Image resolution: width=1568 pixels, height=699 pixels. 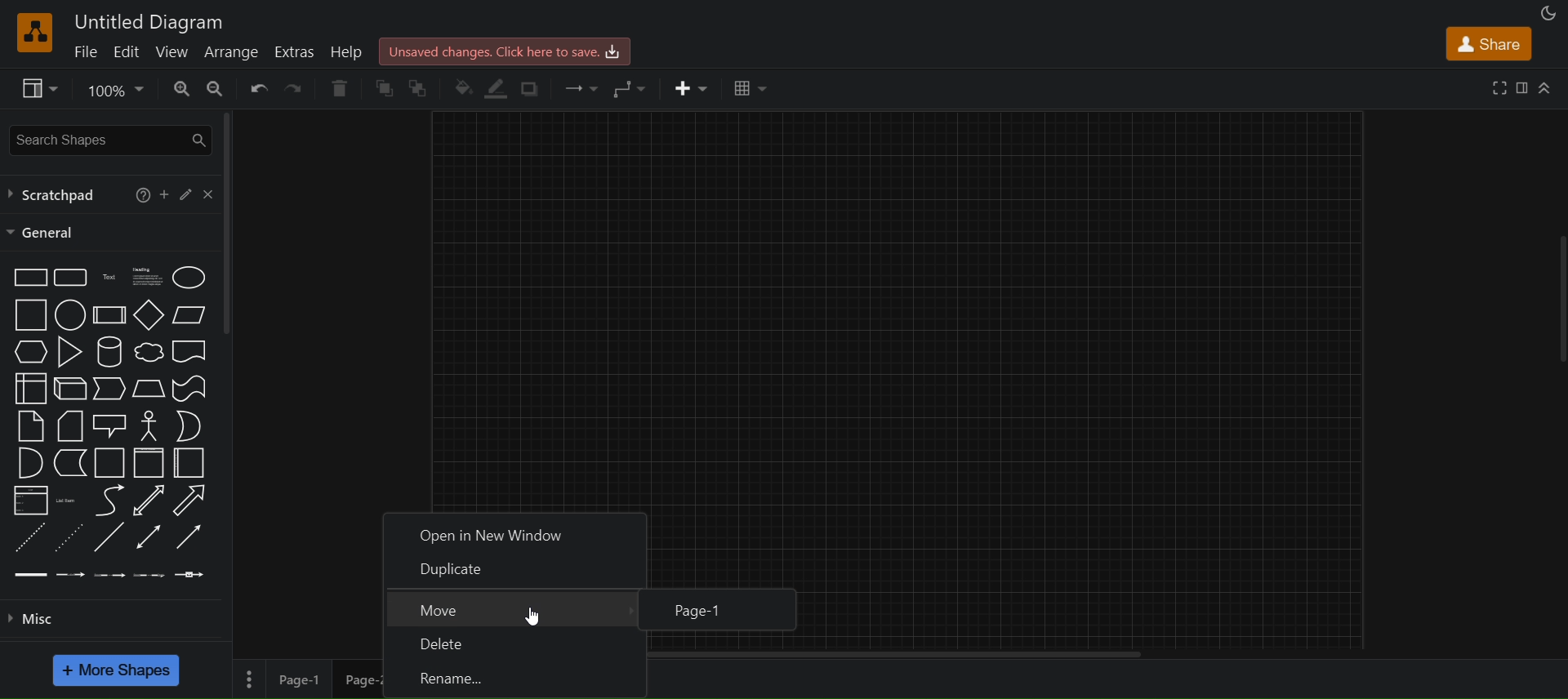 I want to click on text, so click(x=110, y=277).